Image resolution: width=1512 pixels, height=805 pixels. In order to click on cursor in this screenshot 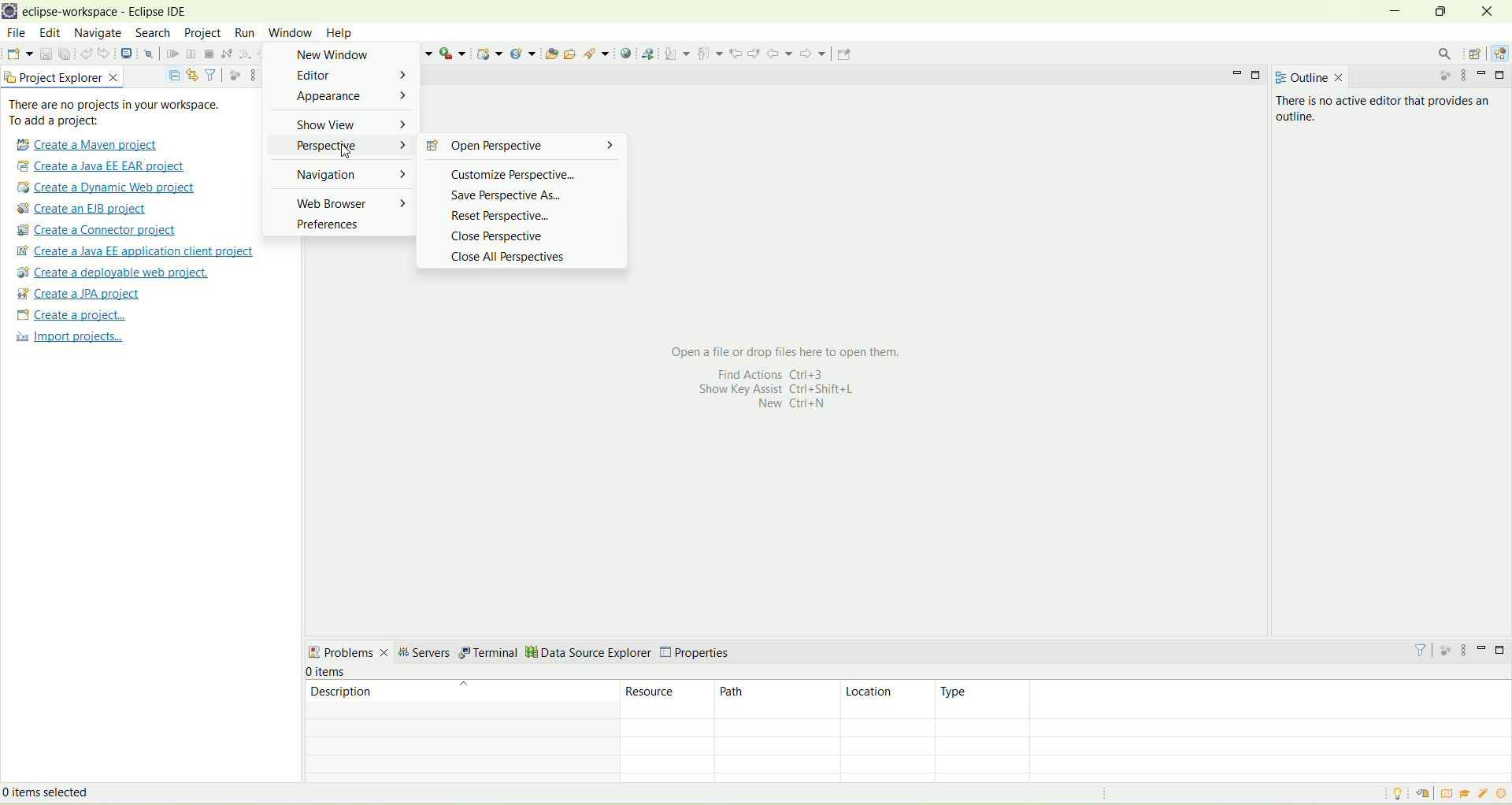, I will do `click(347, 154)`.